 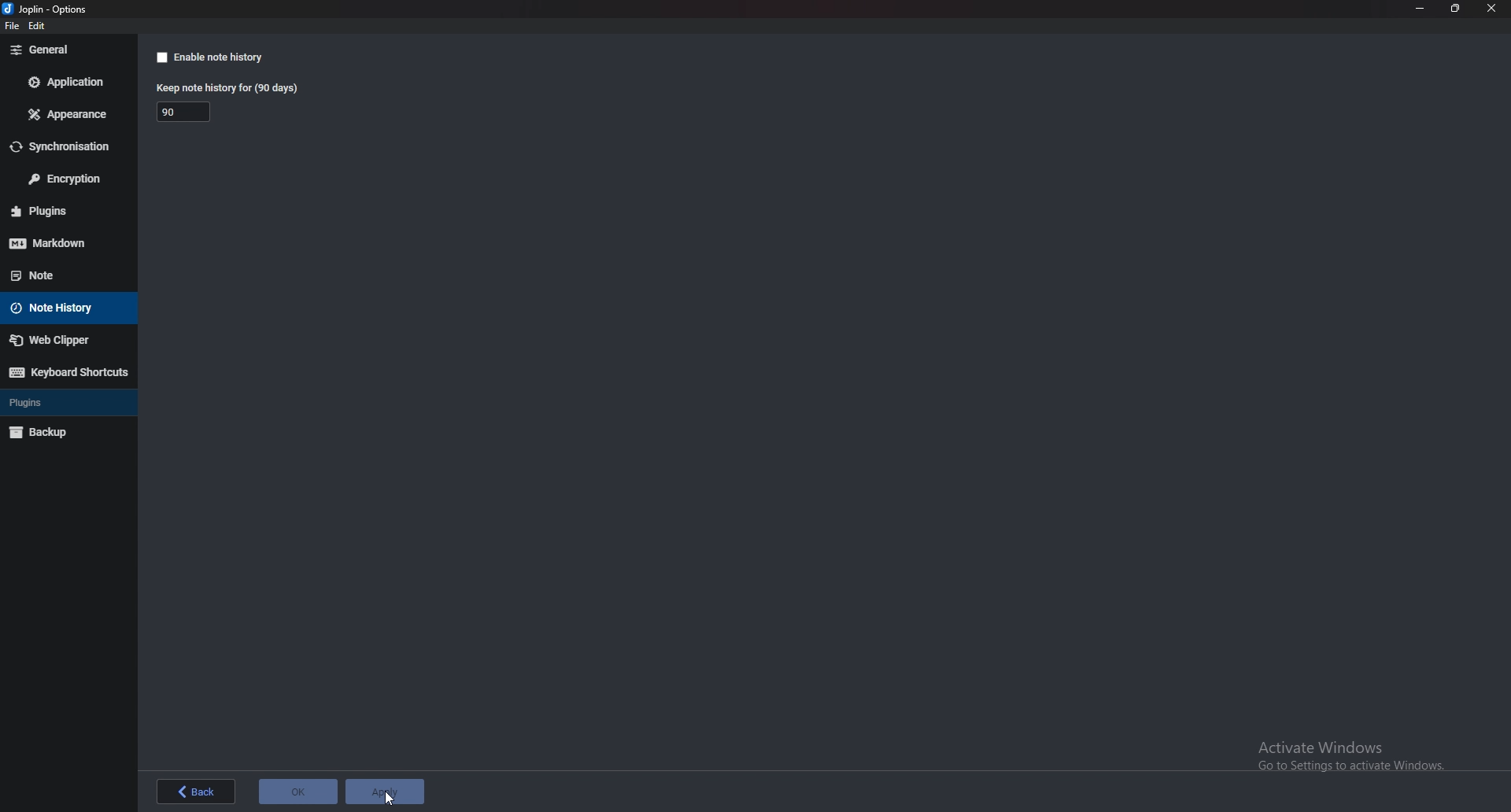 I want to click on Application, so click(x=69, y=82).